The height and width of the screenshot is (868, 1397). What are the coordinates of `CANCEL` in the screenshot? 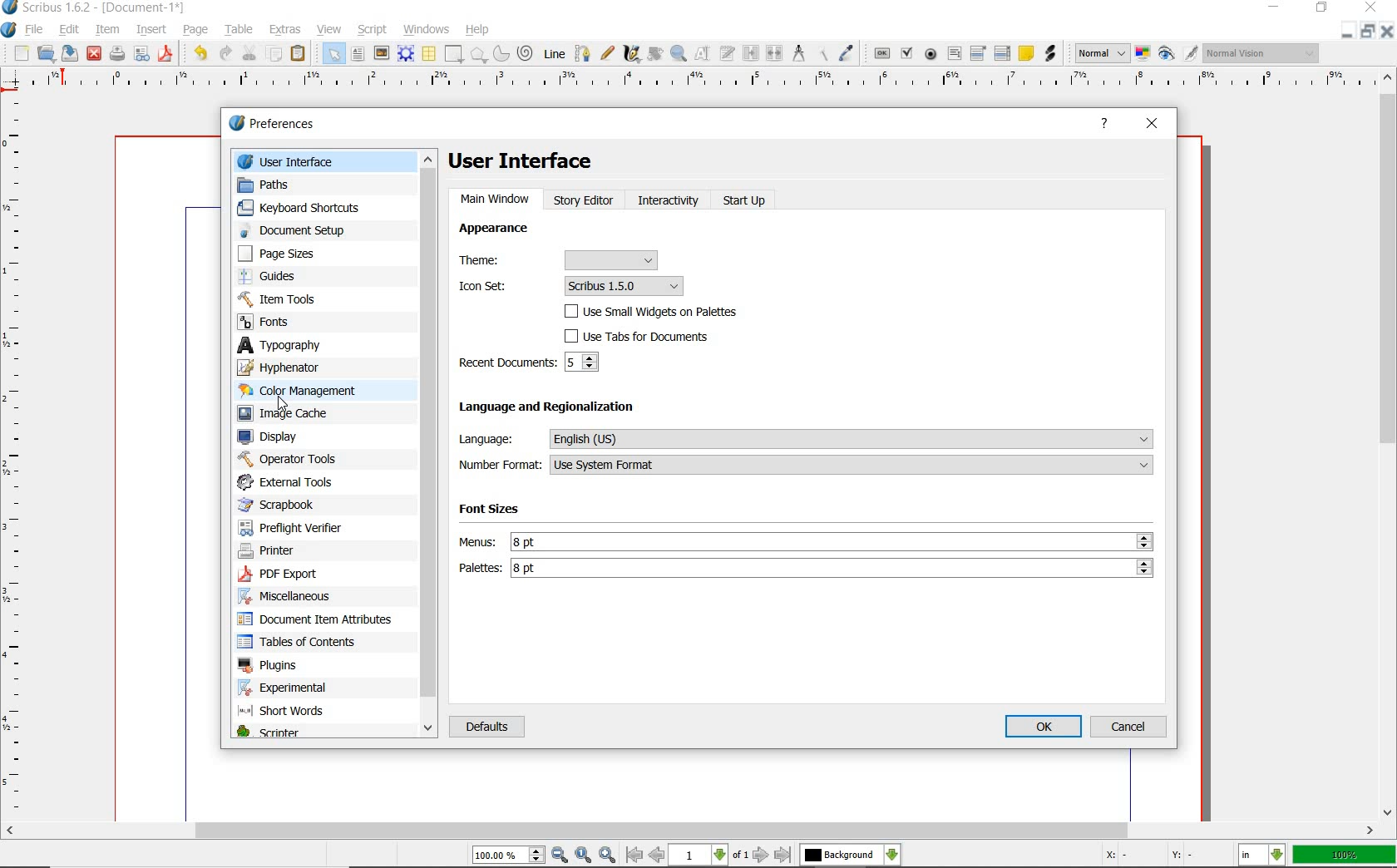 It's located at (1132, 727).